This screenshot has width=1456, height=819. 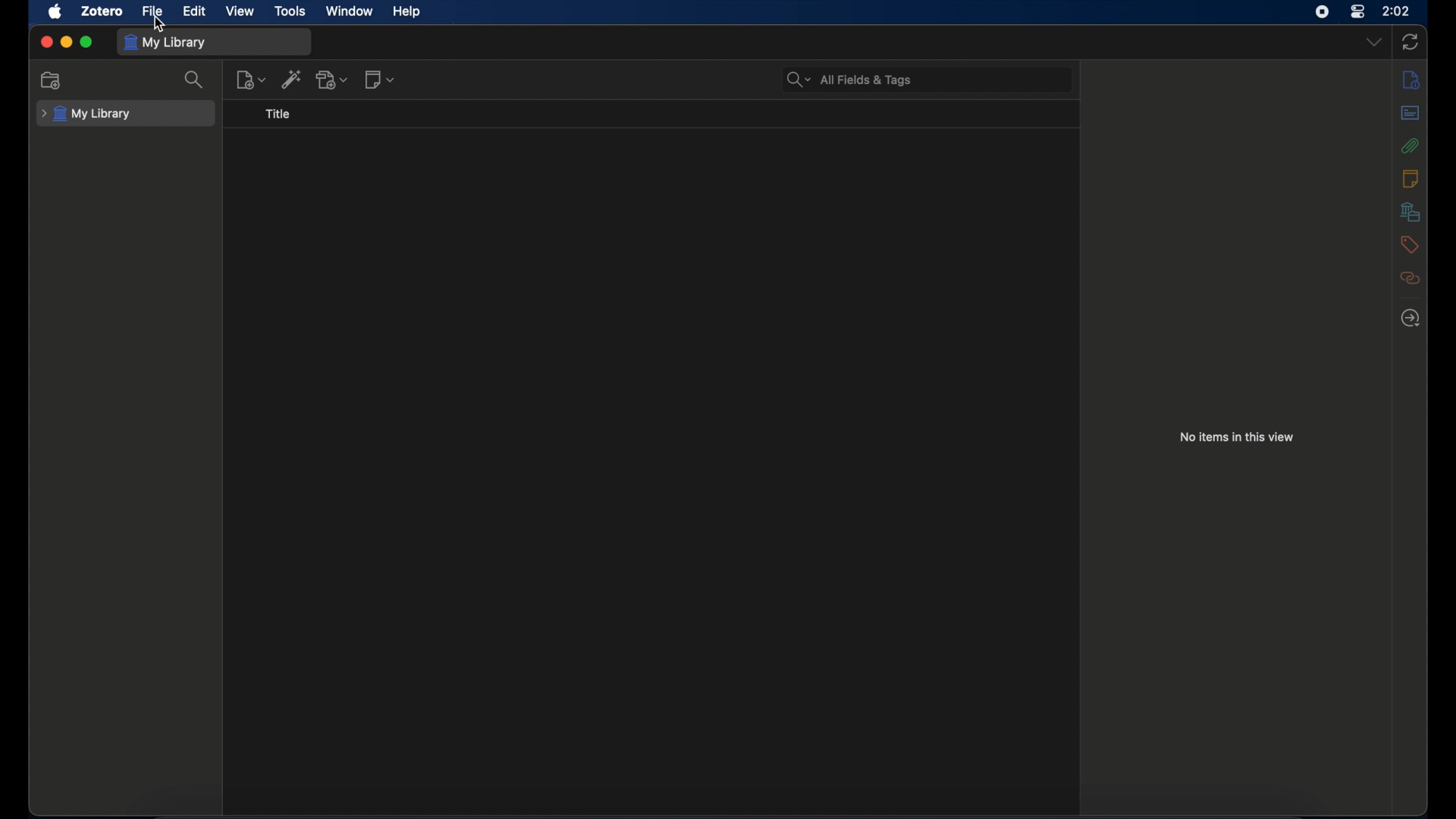 What do you see at coordinates (406, 12) in the screenshot?
I see `help` at bounding box center [406, 12].